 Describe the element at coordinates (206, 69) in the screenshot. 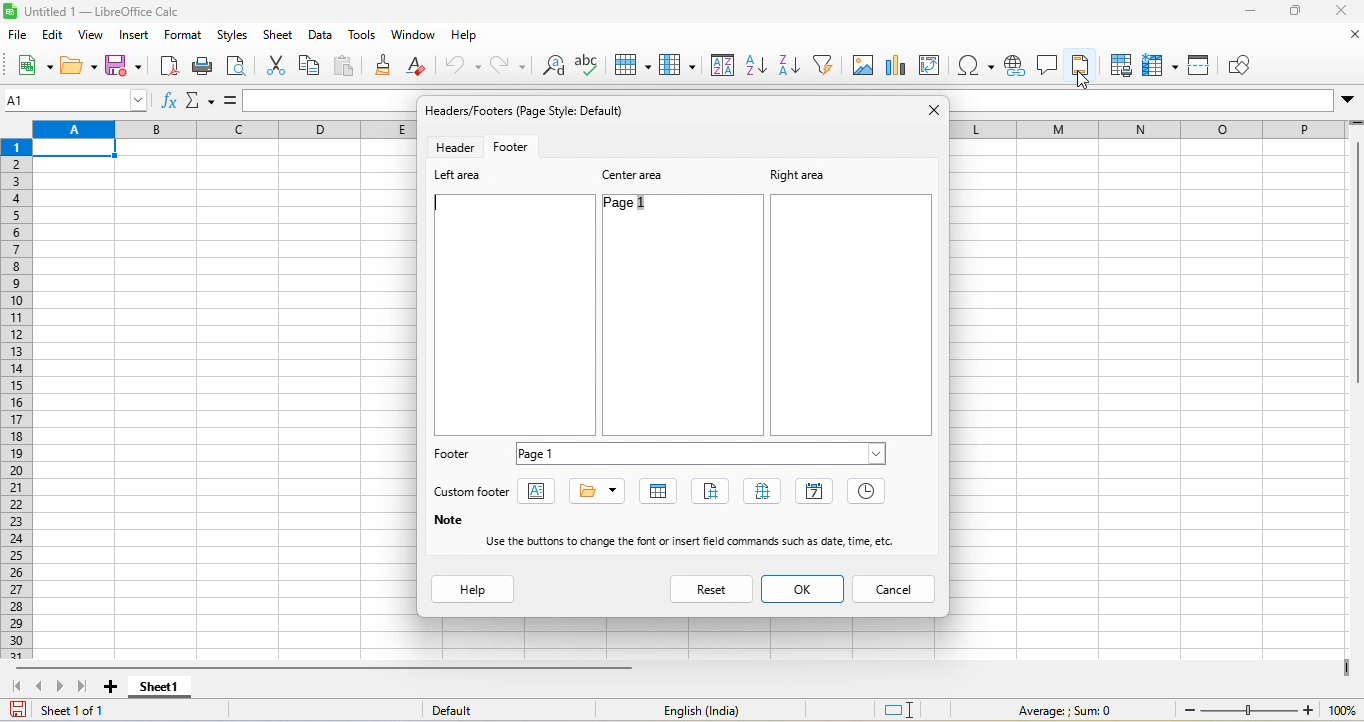

I see `print` at that location.